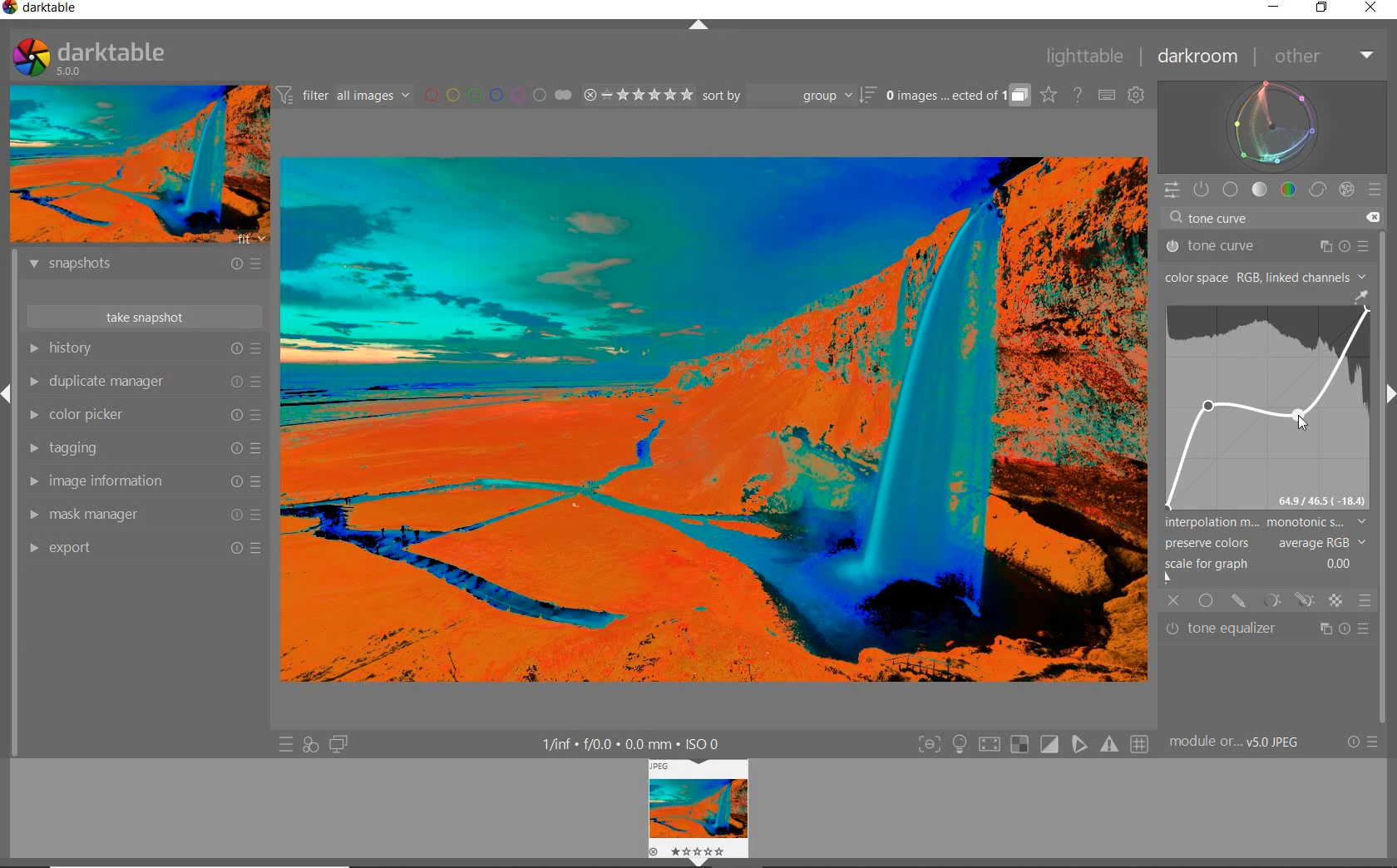  What do you see at coordinates (144, 448) in the screenshot?
I see `tagging` at bounding box center [144, 448].